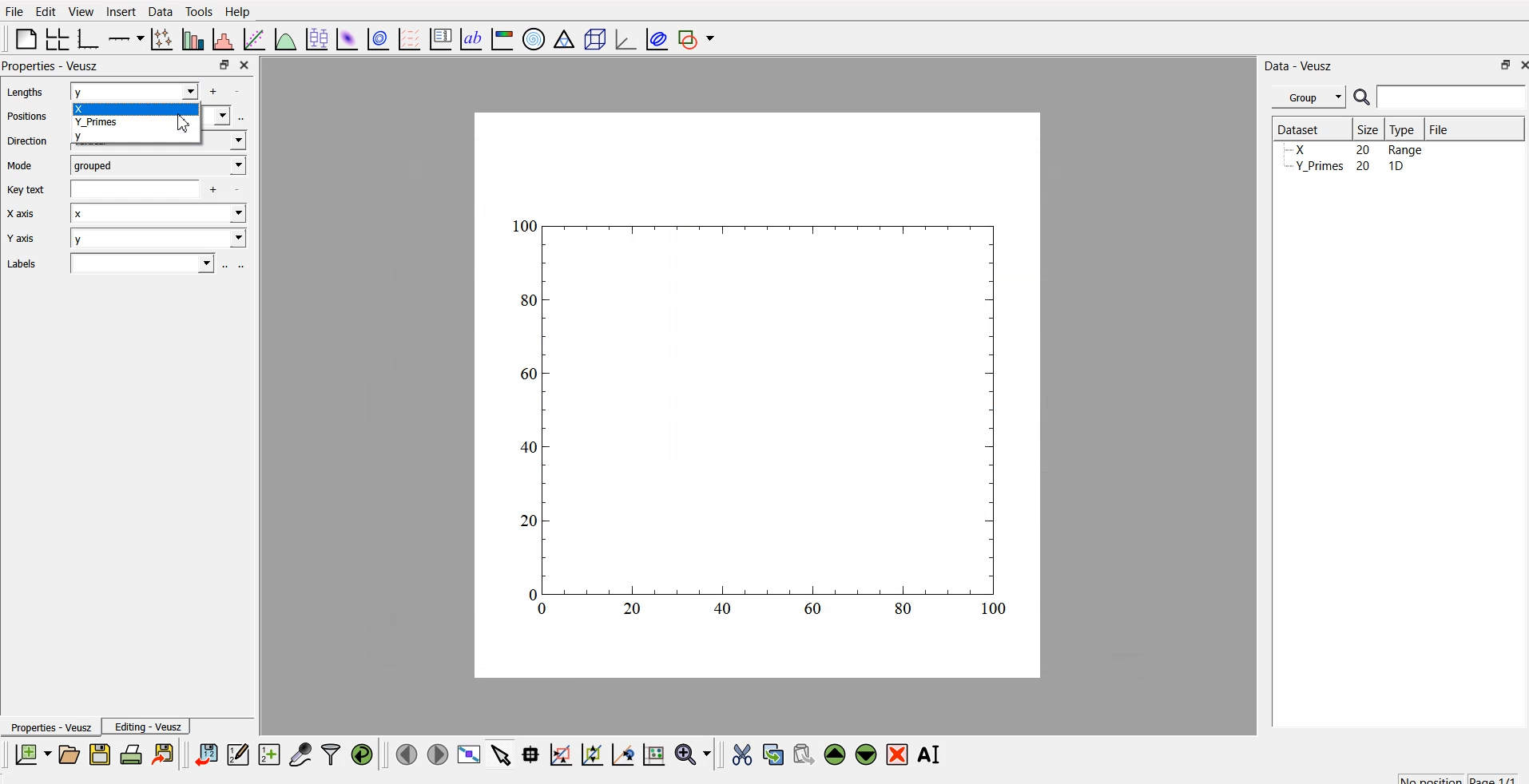 This screenshot has height=784, width=1529. What do you see at coordinates (1301, 63) in the screenshot?
I see `Data - Veusz` at bounding box center [1301, 63].